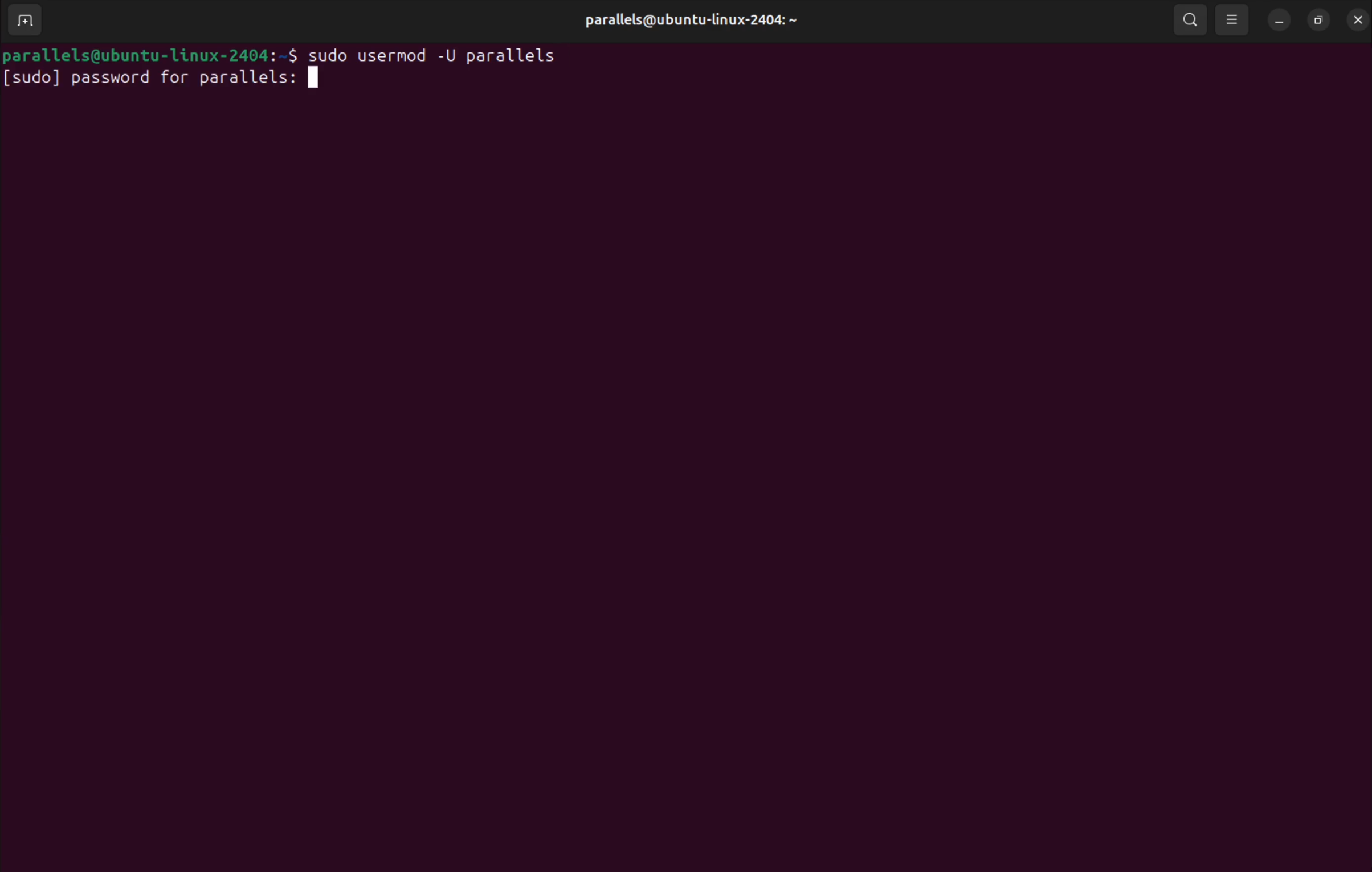 The height and width of the screenshot is (872, 1372). What do you see at coordinates (1190, 19) in the screenshot?
I see `search ` at bounding box center [1190, 19].